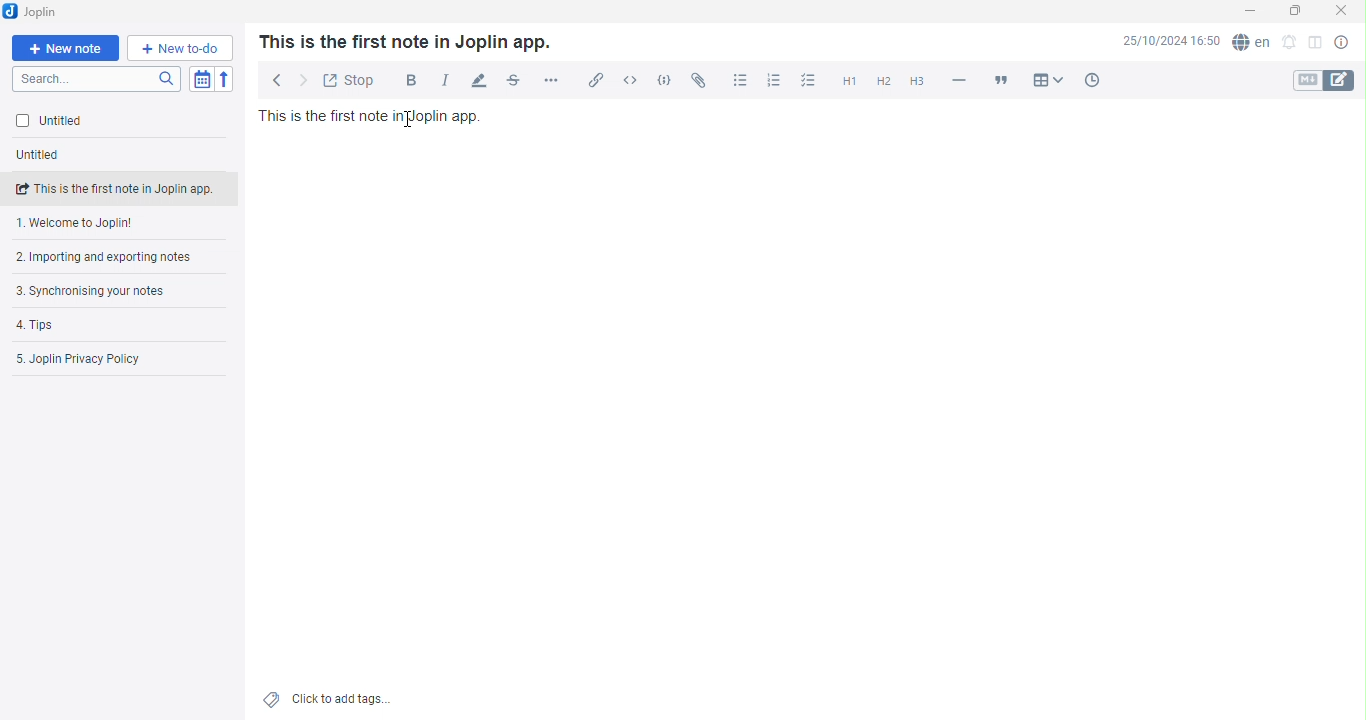 The image size is (1366, 720). What do you see at coordinates (115, 259) in the screenshot?
I see `Importing and exporting notes` at bounding box center [115, 259].